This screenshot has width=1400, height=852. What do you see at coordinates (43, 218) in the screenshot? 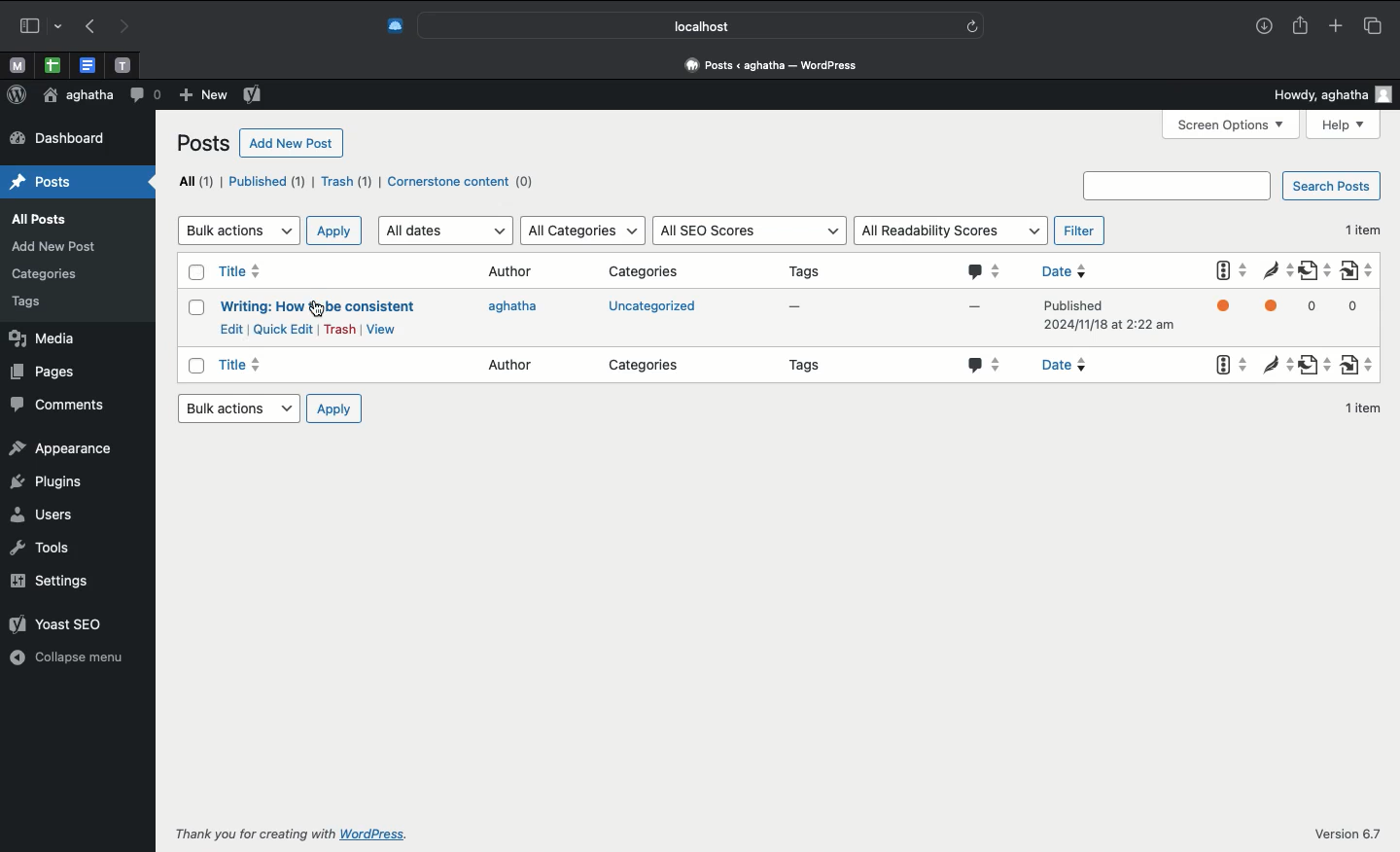
I see `all posts` at bounding box center [43, 218].